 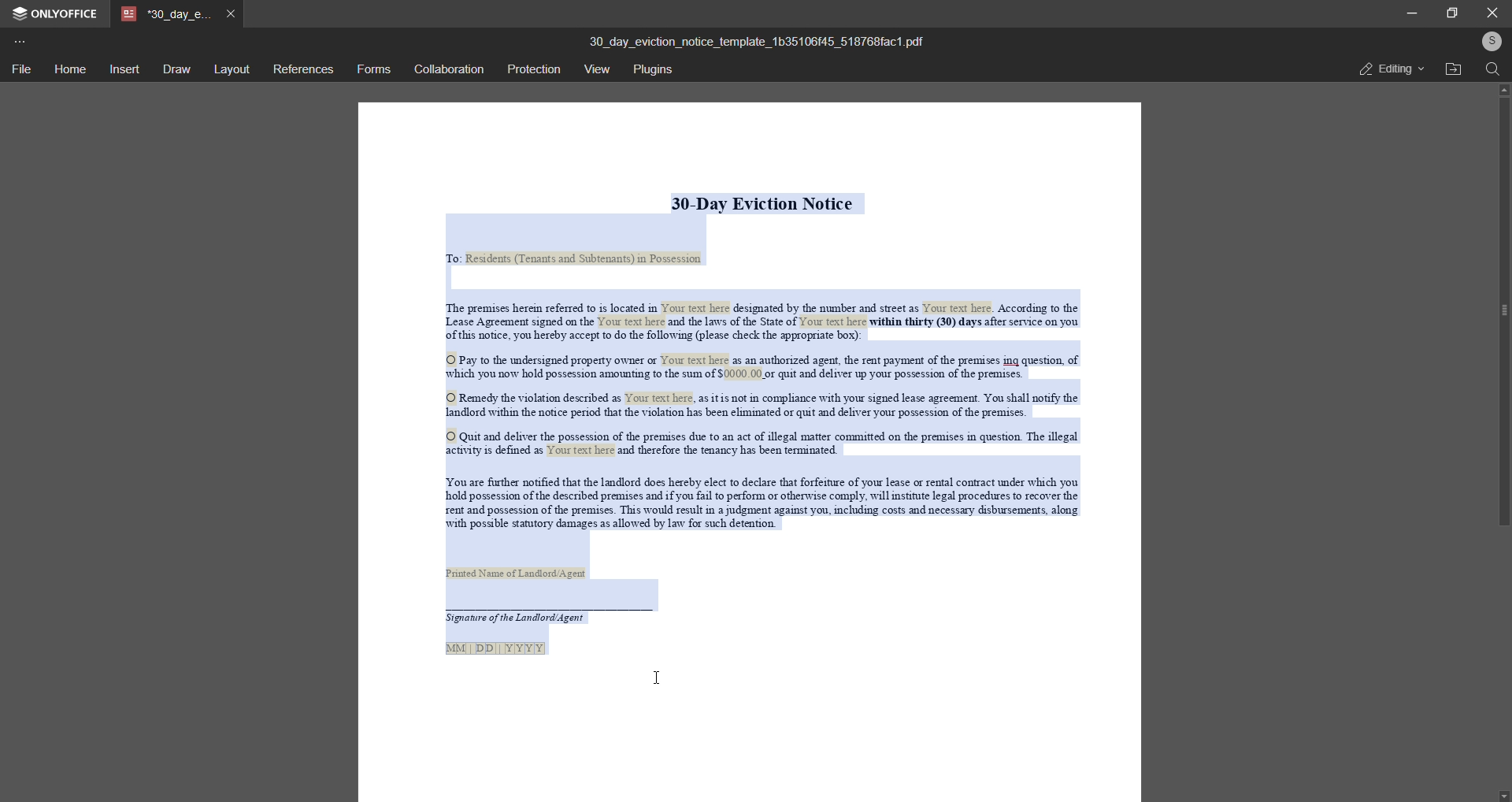 What do you see at coordinates (121, 70) in the screenshot?
I see `insert` at bounding box center [121, 70].